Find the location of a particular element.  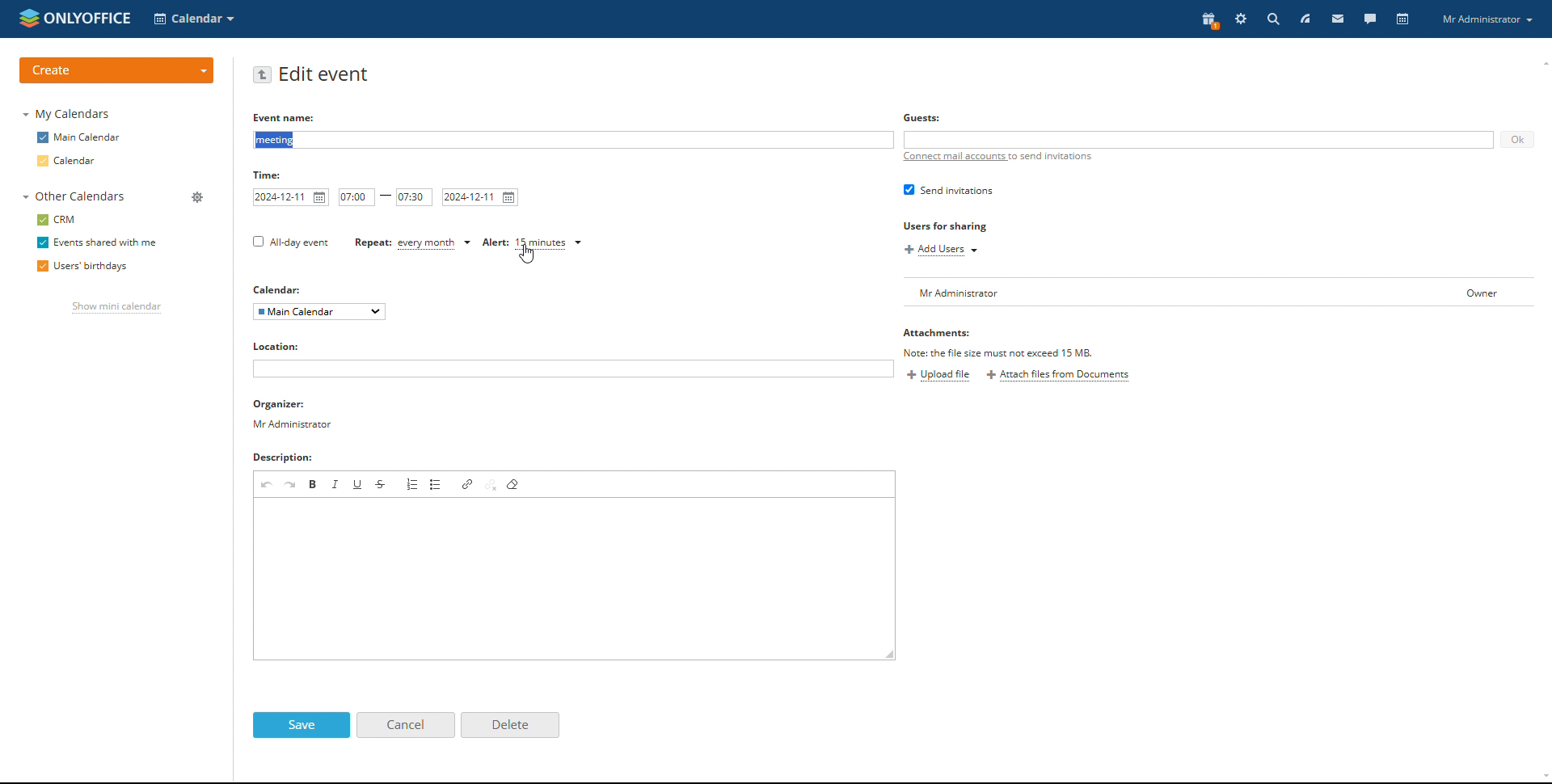

Description: is located at coordinates (292, 457).